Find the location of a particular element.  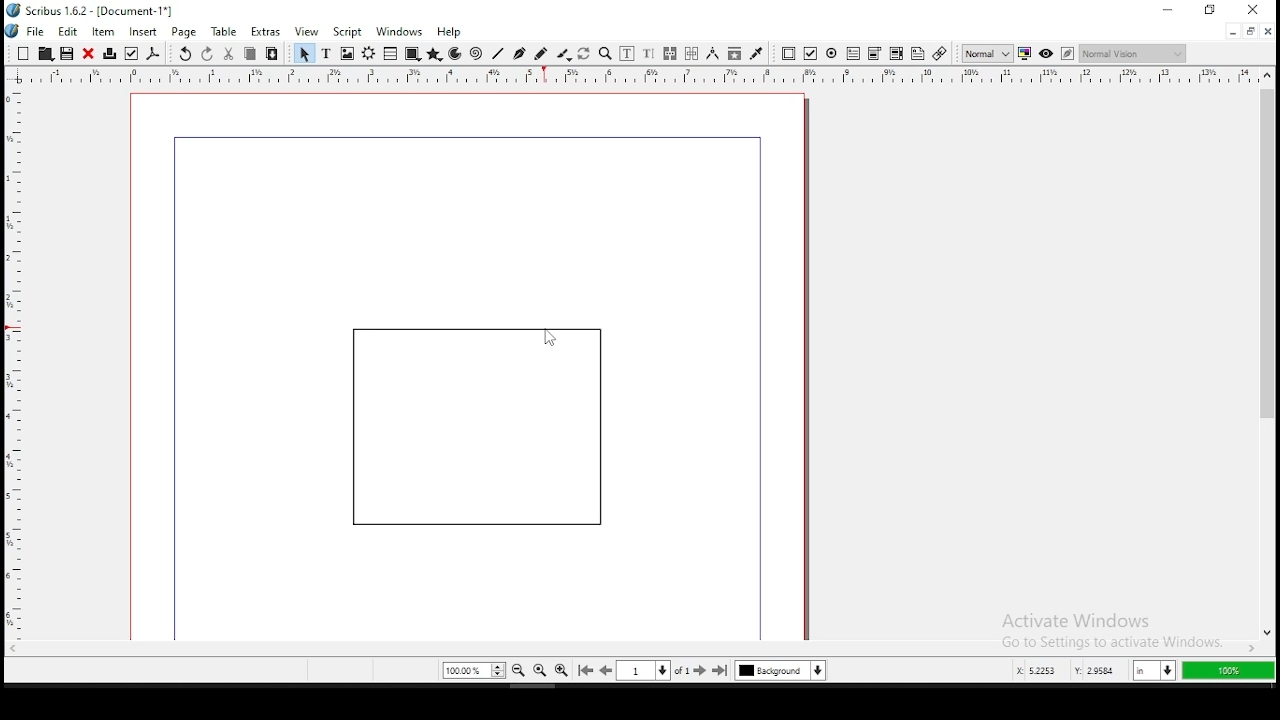

copy is located at coordinates (250, 54).